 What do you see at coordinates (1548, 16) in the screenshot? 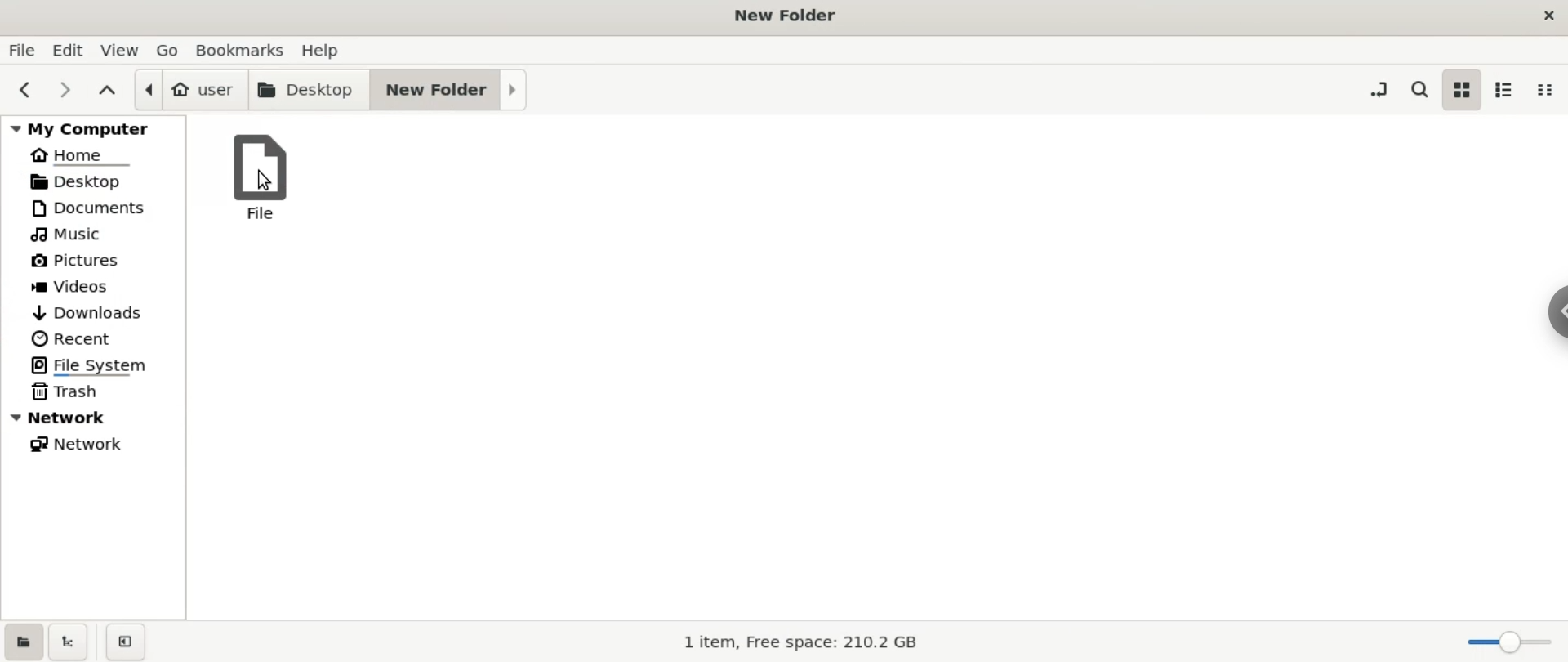
I see `close` at bounding box center [1548, 16].